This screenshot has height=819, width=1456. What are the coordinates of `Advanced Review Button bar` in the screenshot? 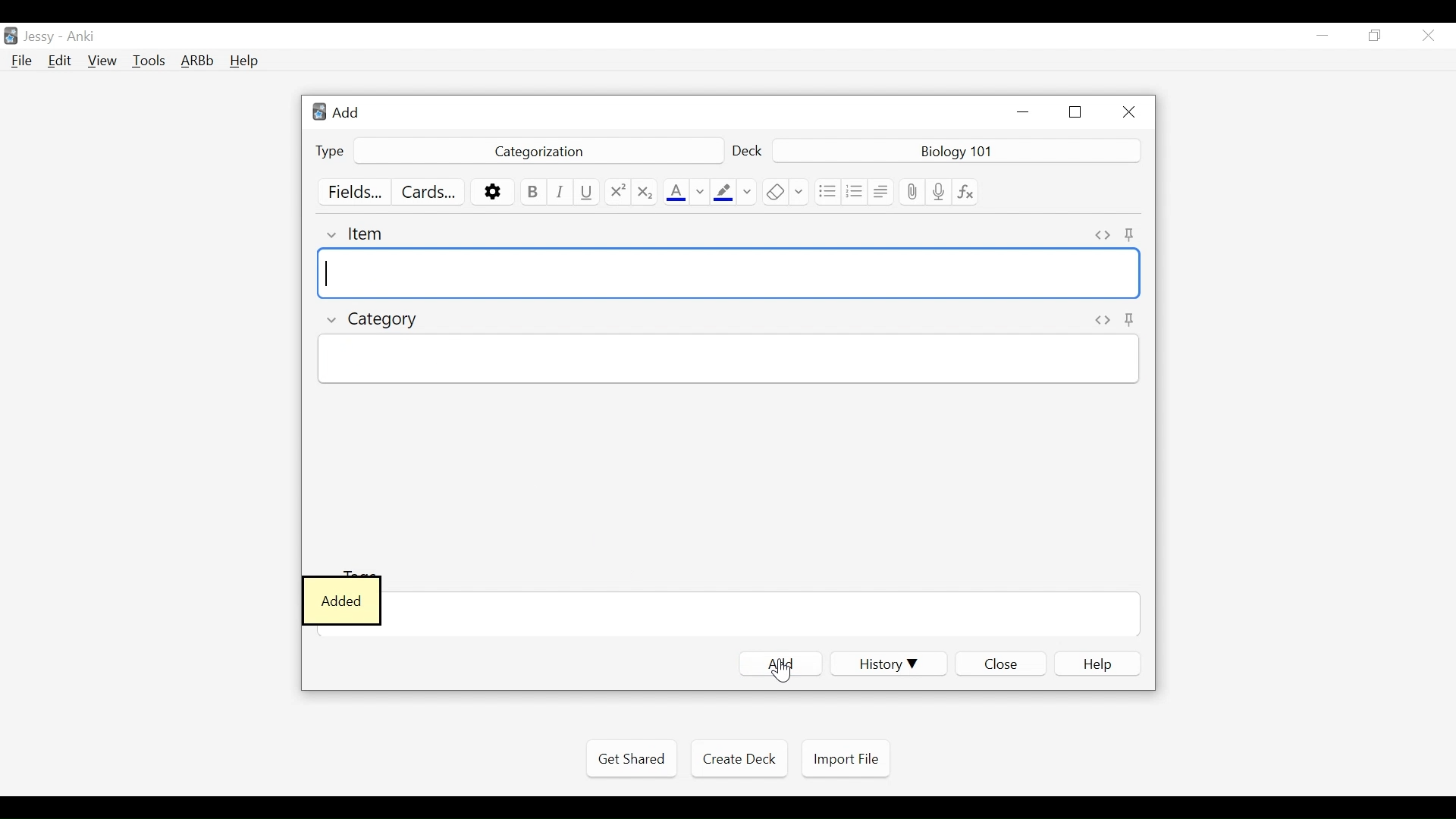 It's located at (198, 61).